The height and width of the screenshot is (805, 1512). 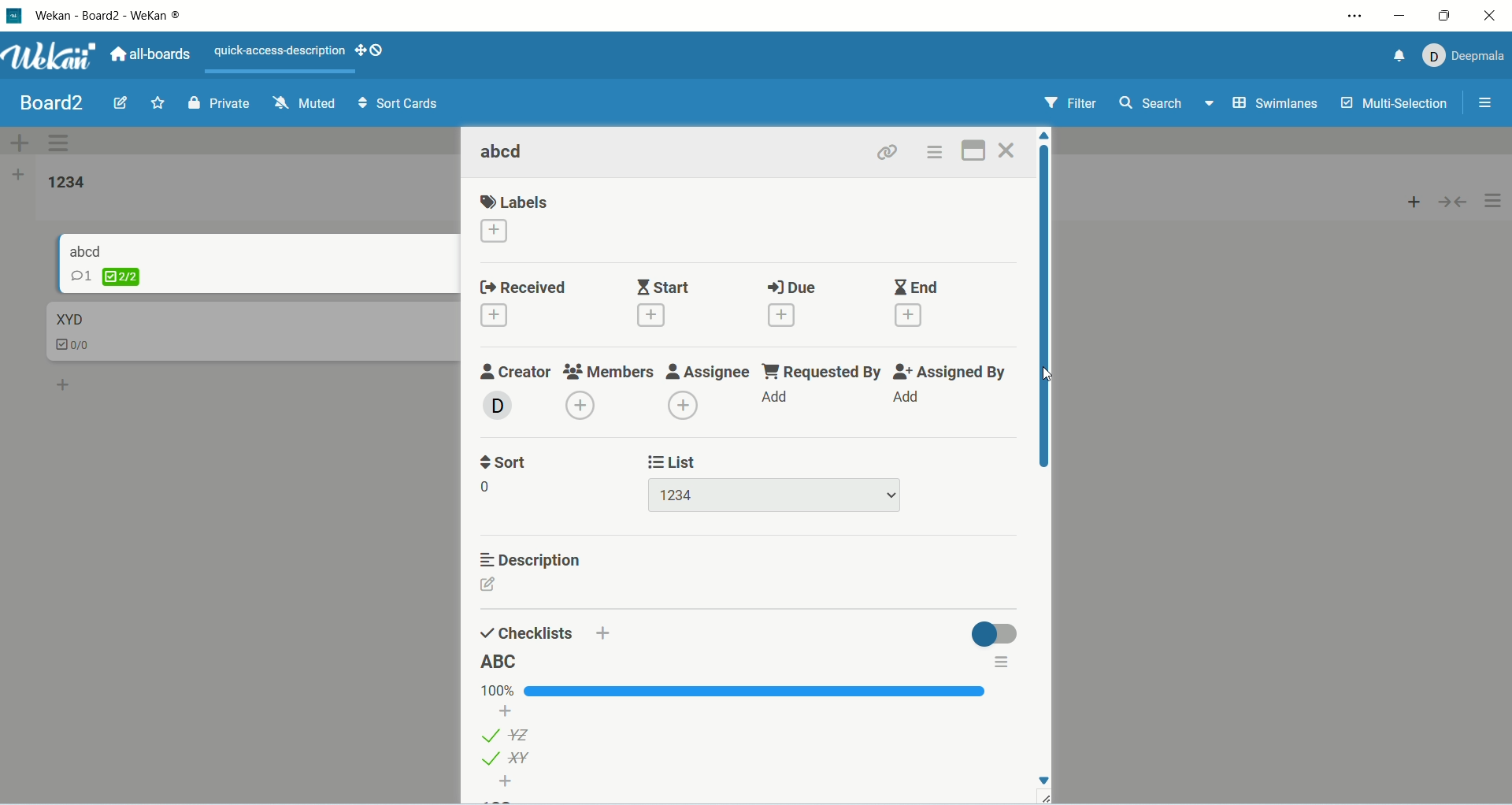 What do you see at coordinates (120, 102) in the screenshot?
I see `edit` at bounding box center [120, 102].